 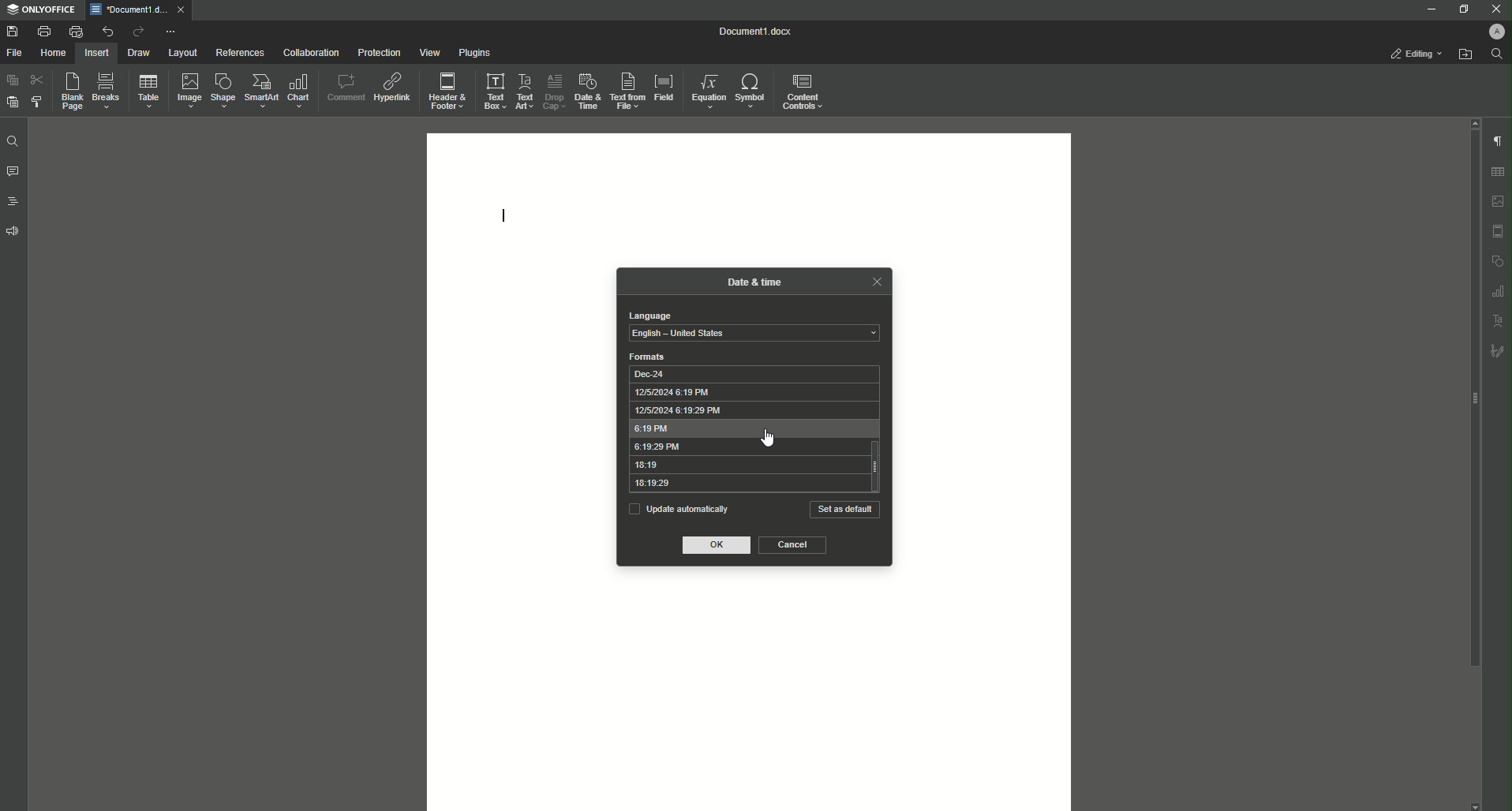 What do you see at coordinates (139, 52) in the screenshot?
I see `Draw` at bounding box center [139, 52].